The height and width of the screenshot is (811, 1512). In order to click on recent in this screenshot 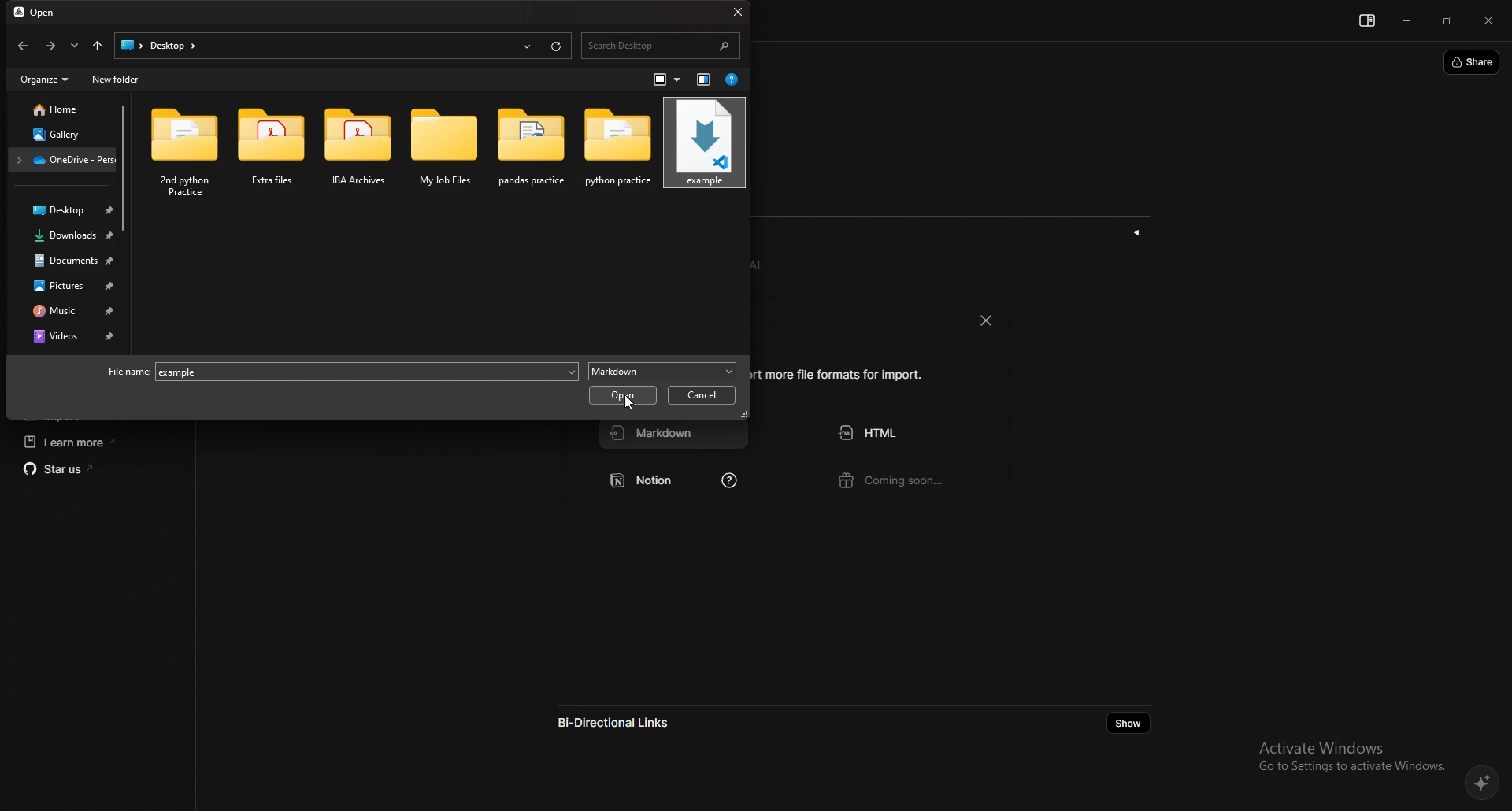, I will do `click(74, 46)`.